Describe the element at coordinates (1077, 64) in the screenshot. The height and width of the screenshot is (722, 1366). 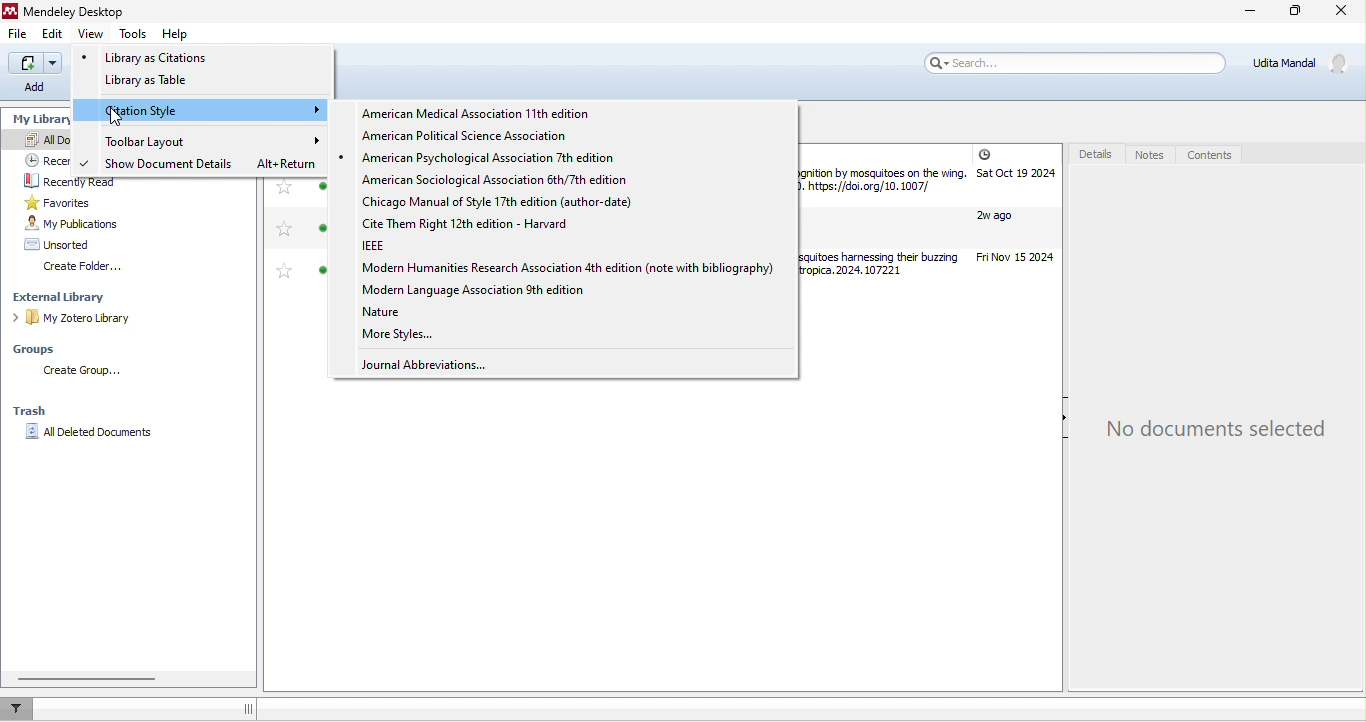
I see `search bar` at that location.